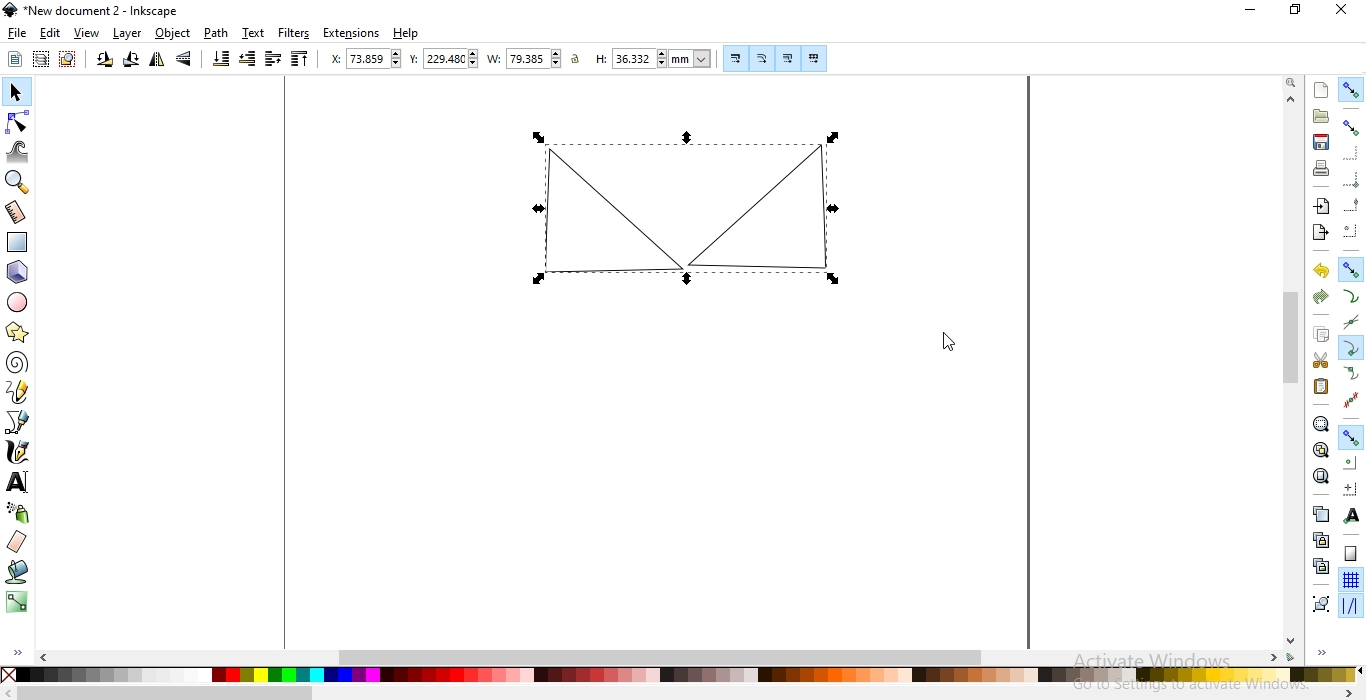 This screenshot has height=700, width=1366. What do you see at coordinates (733, 58) in the screenshot?
I see `scale stroke width by same proportion` at bounding box center [733, 58].